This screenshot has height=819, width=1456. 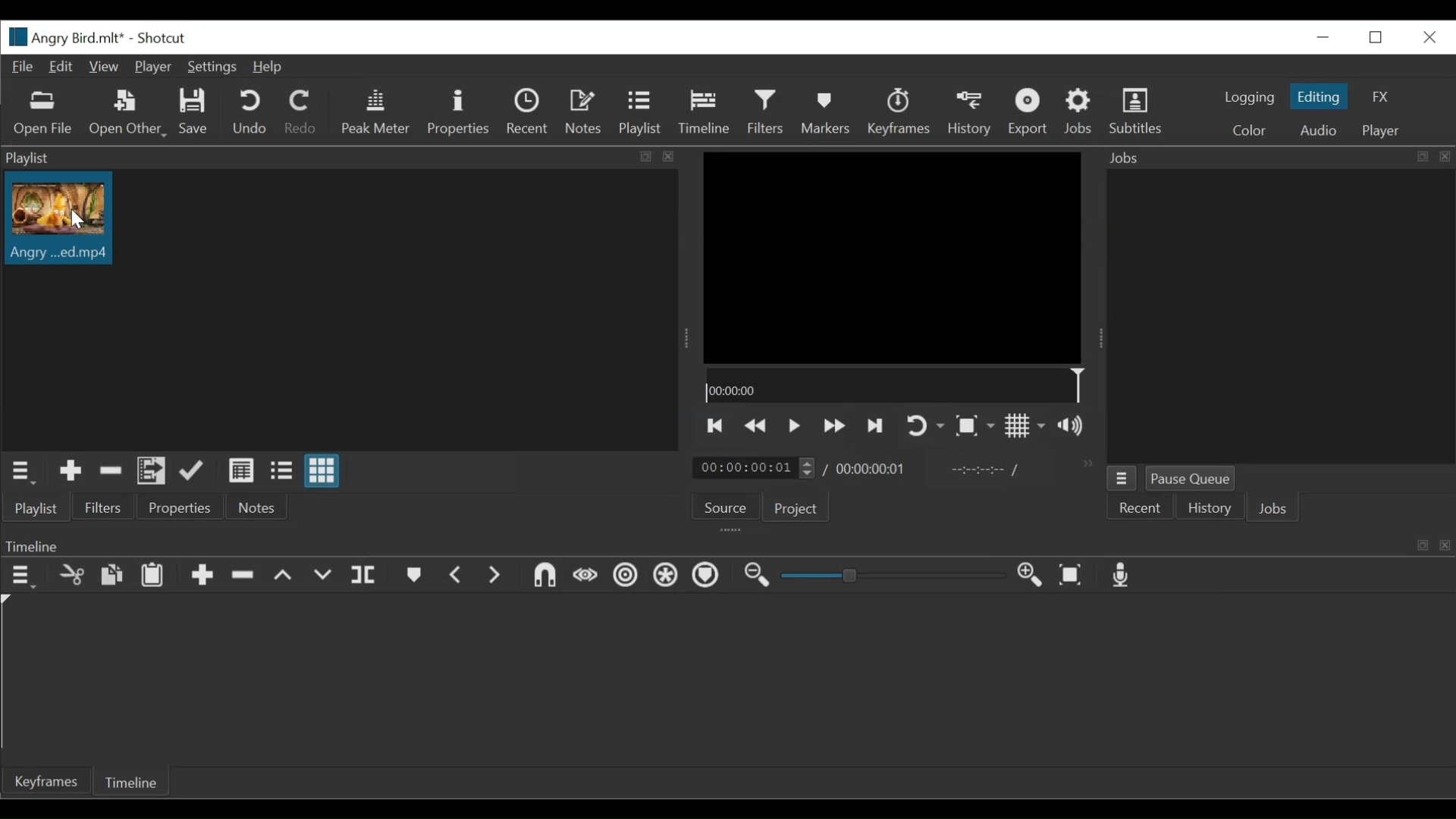 What do you see at coordinates (322, 471) in the screenshot?
I see `View as icon` at bounding box center [322, 471].